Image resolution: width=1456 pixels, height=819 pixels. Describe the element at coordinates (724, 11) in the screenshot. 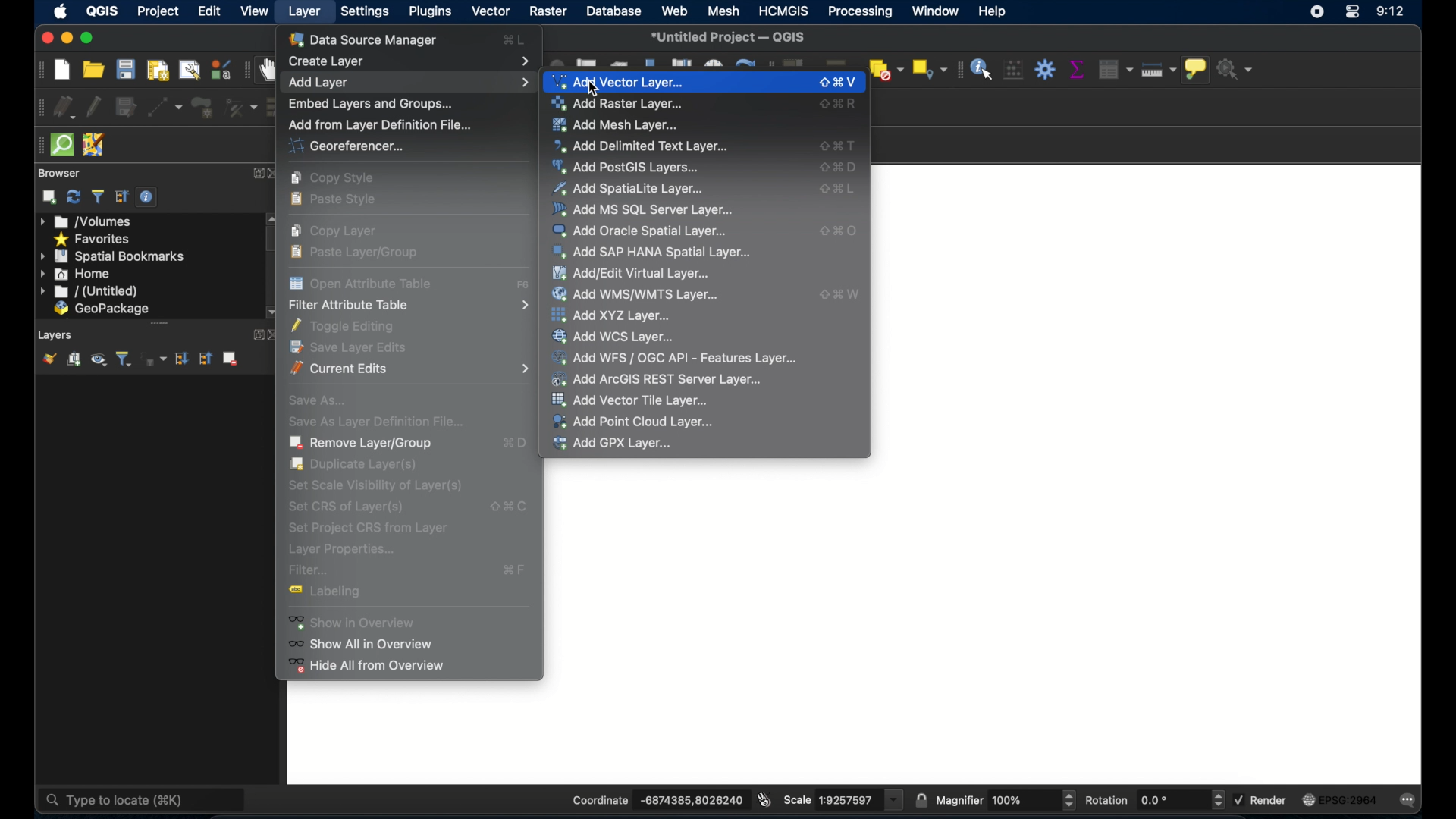

I see `mesh` at that location.